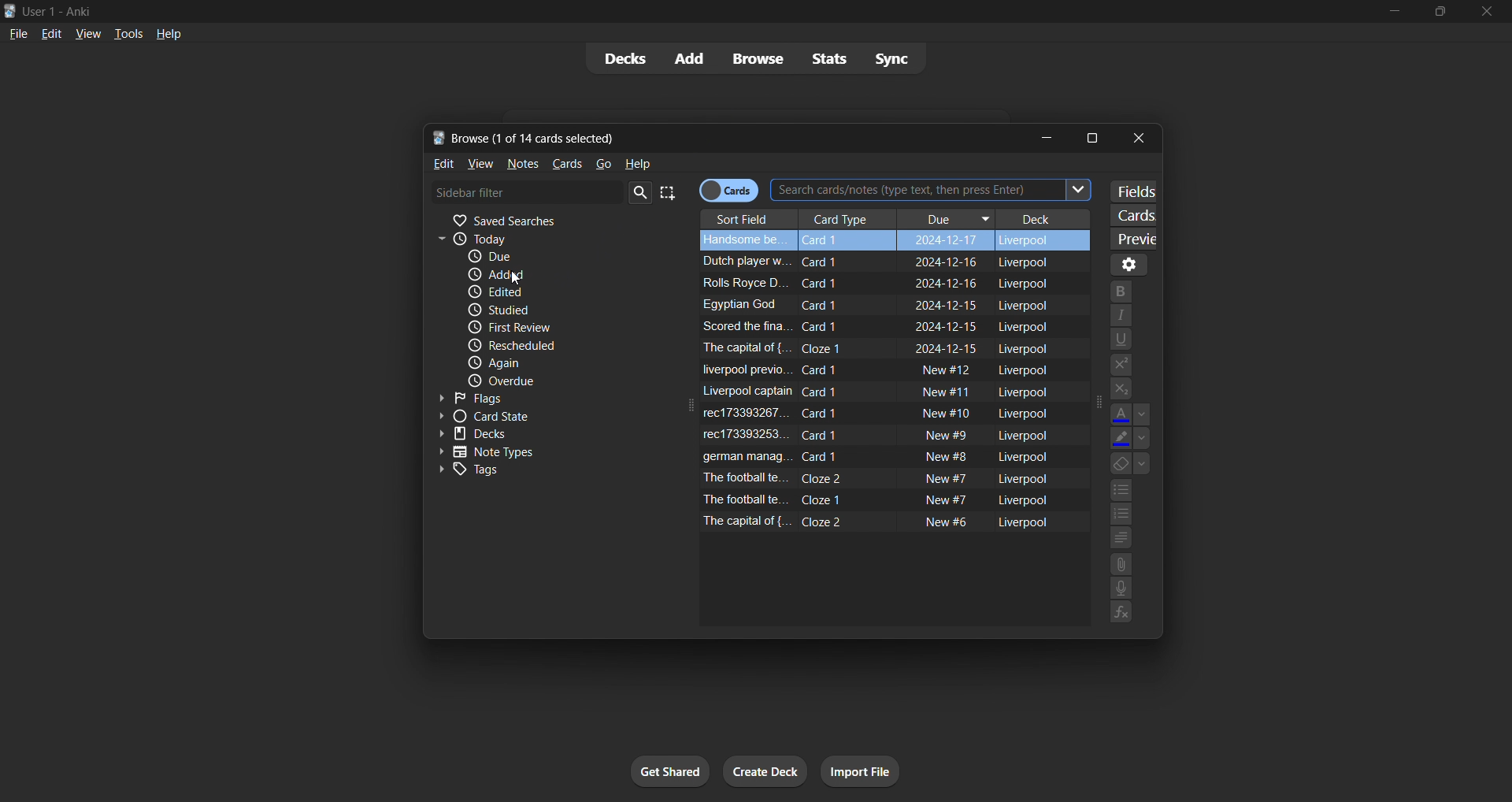 The height and width of the screenshot is (802, 1512). I want to click on customize card templates, so click(1130, 213).